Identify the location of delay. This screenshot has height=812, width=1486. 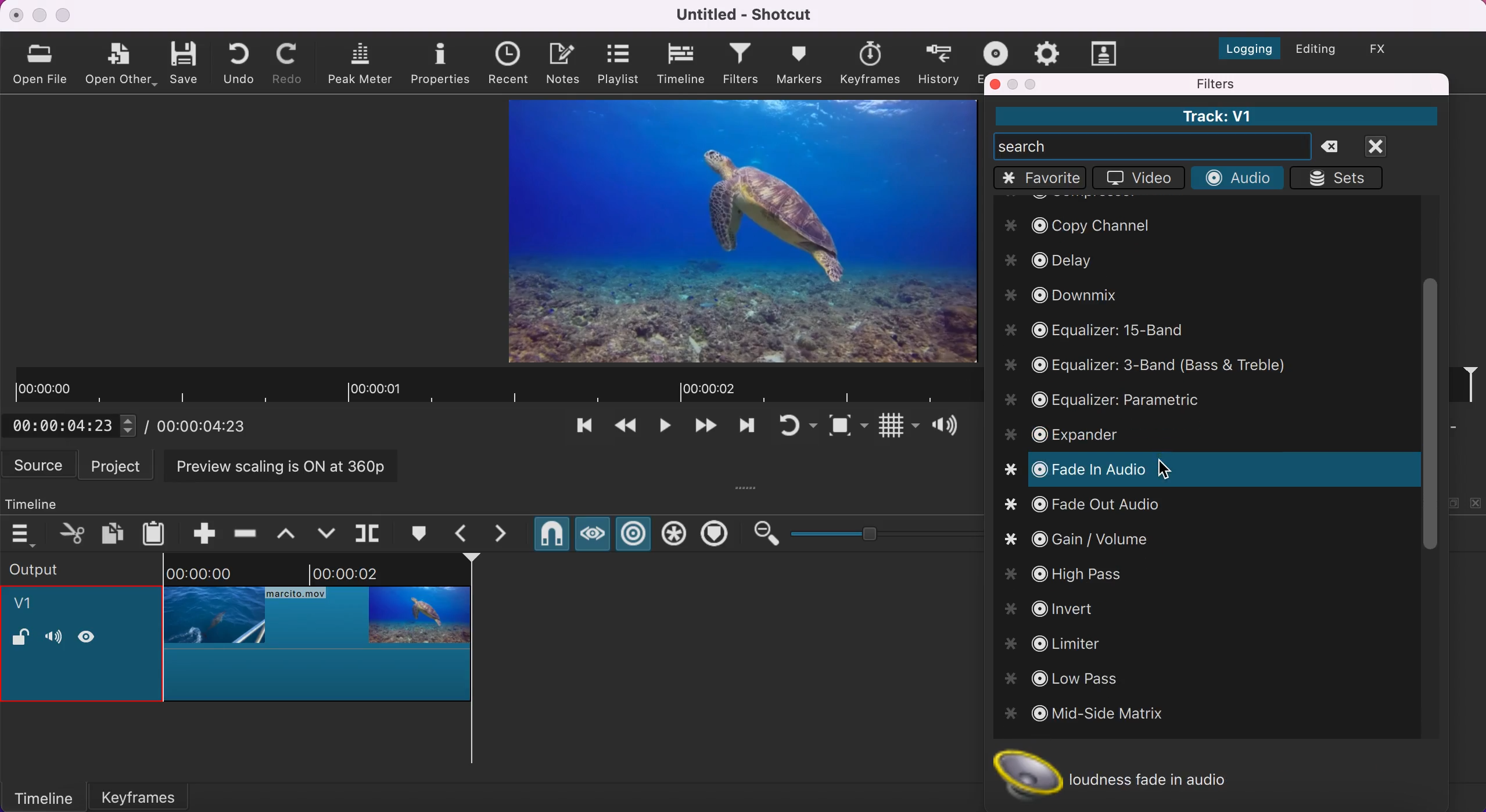
(1050, 256).